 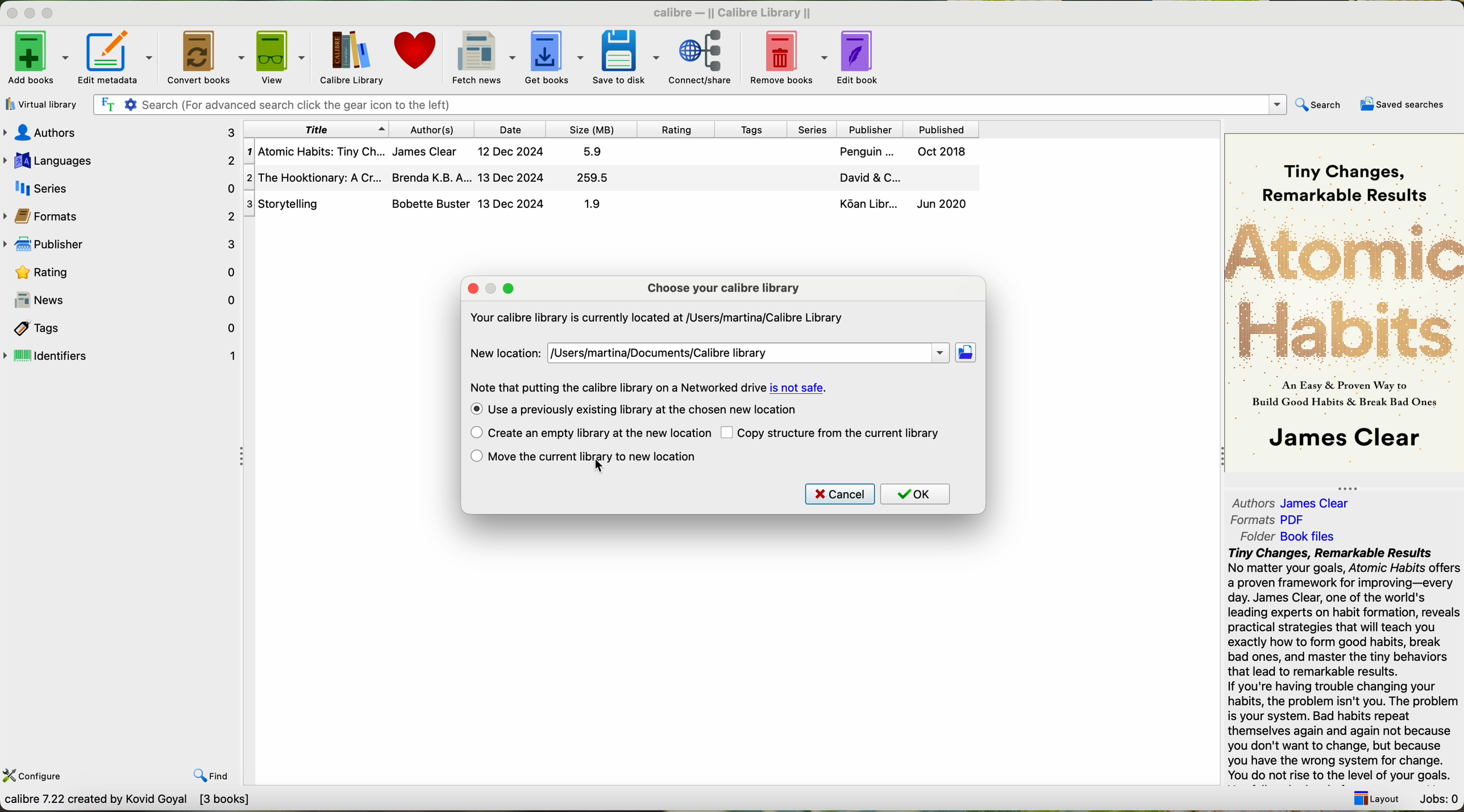 What do you see at coordinates (122, 216) in the screenshot?
I see `formats` at bounding box center [122, 216].